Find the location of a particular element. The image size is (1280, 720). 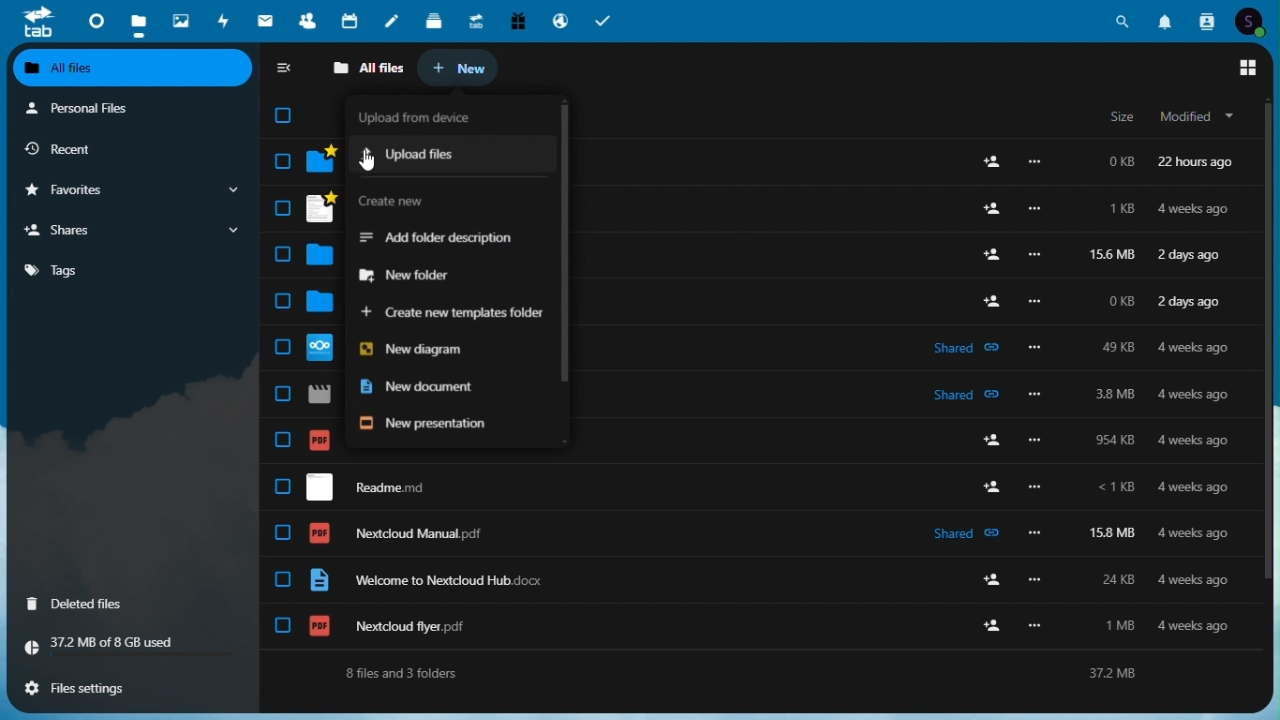

more options is located at coordinates (1035, 532).